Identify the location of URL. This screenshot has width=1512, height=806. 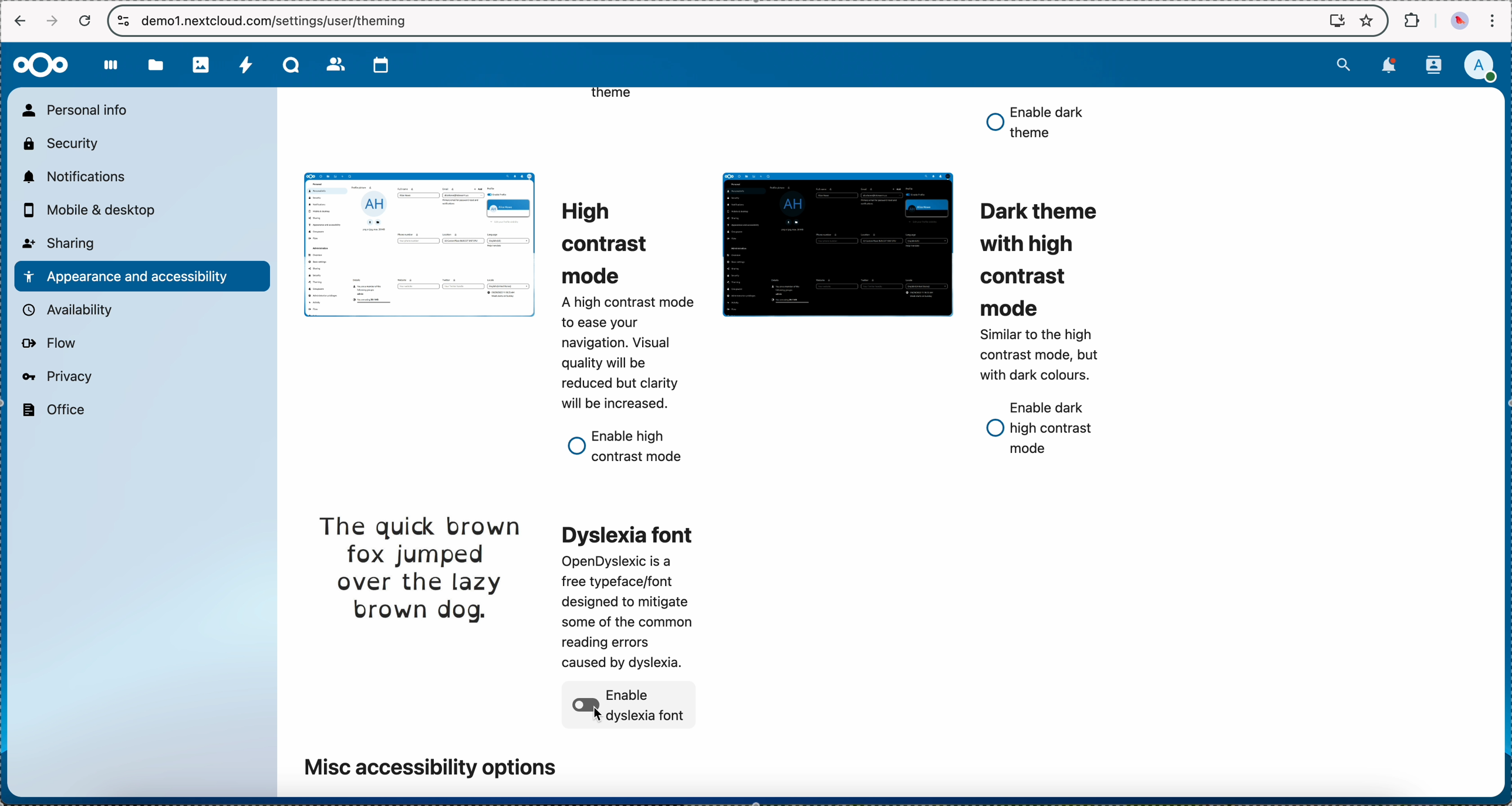
(283, 21).